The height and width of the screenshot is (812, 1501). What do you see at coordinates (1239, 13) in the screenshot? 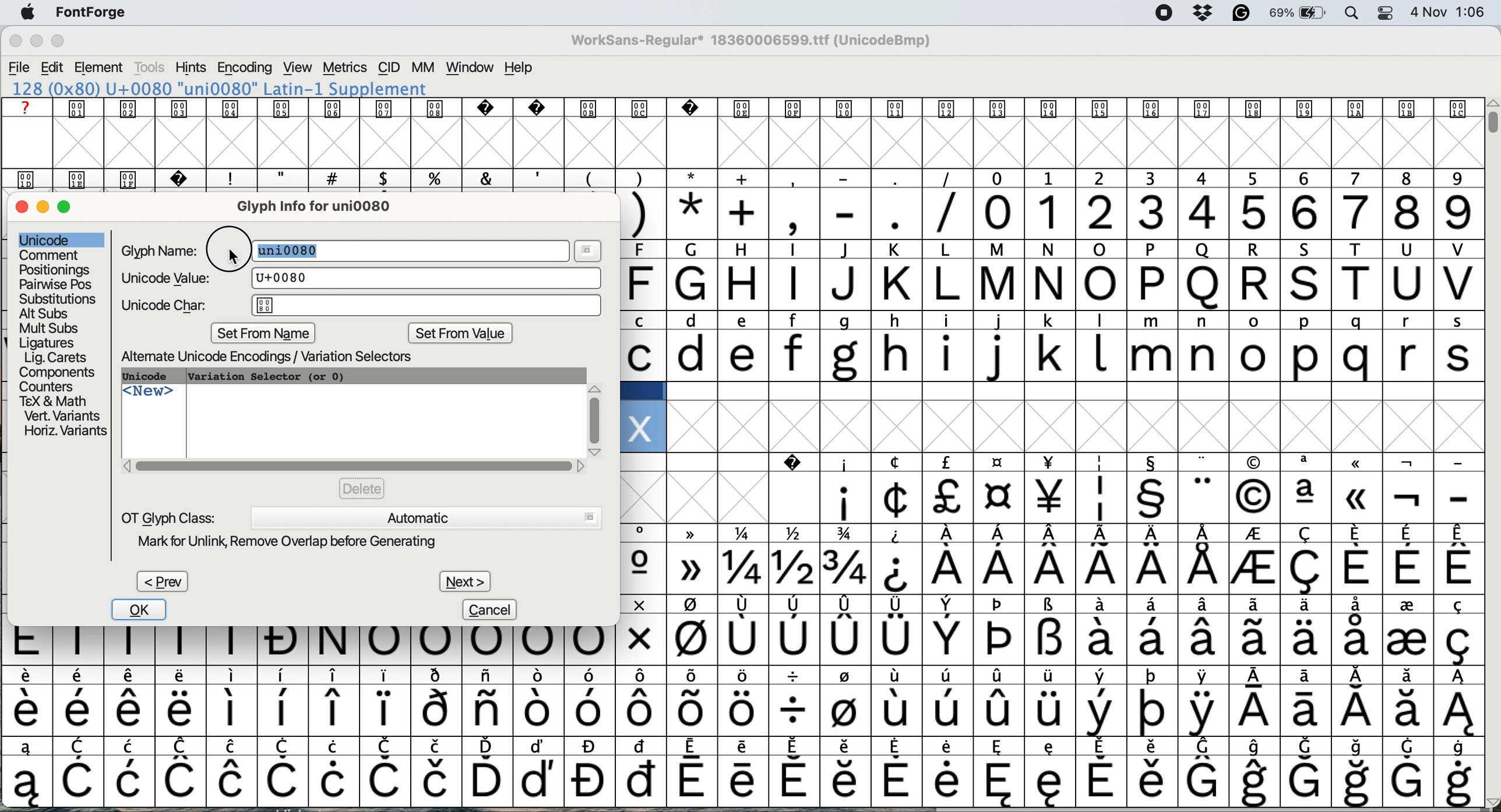
I see `grammarly` at bounding box center [1239, 13].